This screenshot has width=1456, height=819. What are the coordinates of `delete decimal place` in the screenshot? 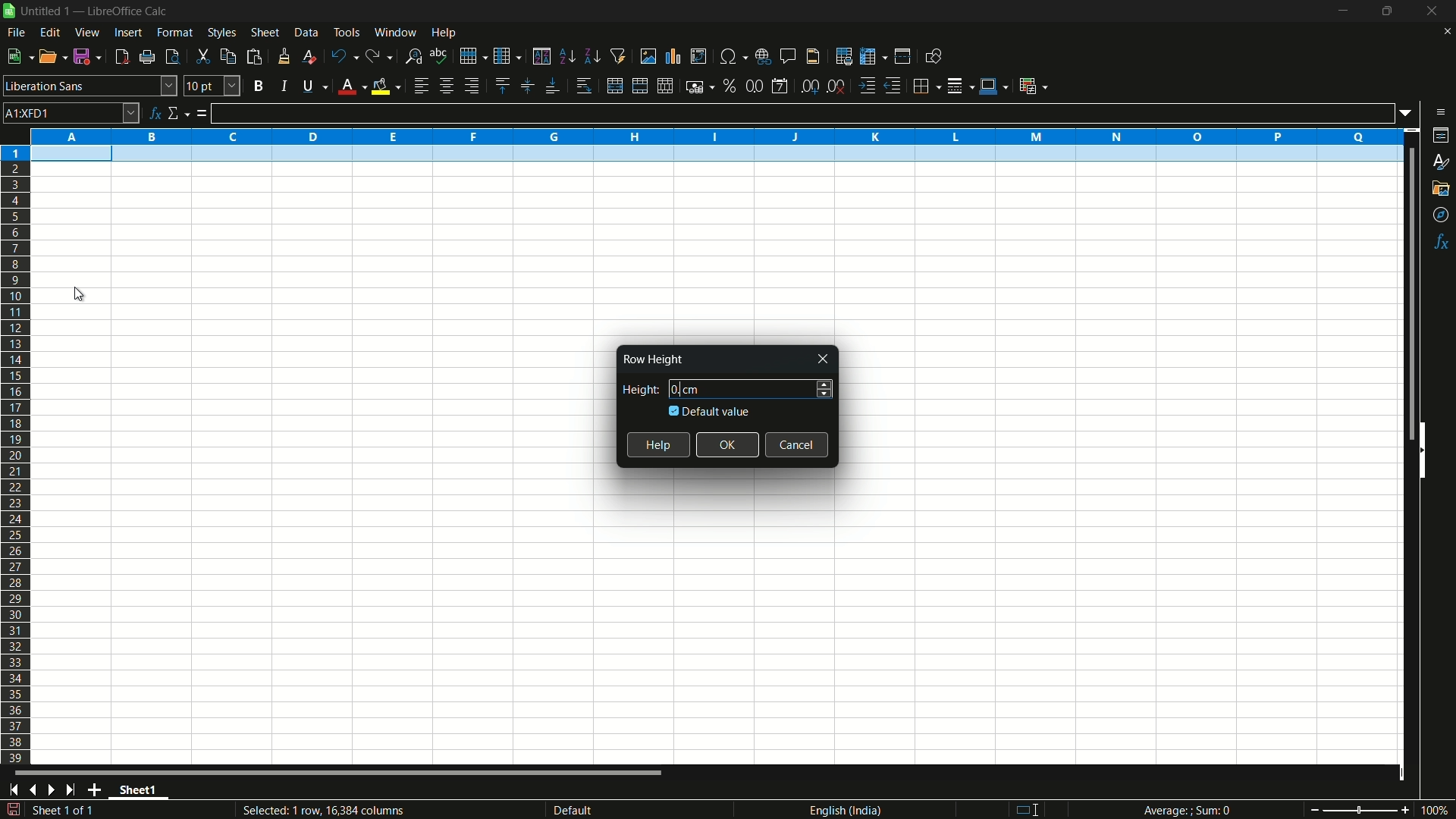 It's located at (837, 86).